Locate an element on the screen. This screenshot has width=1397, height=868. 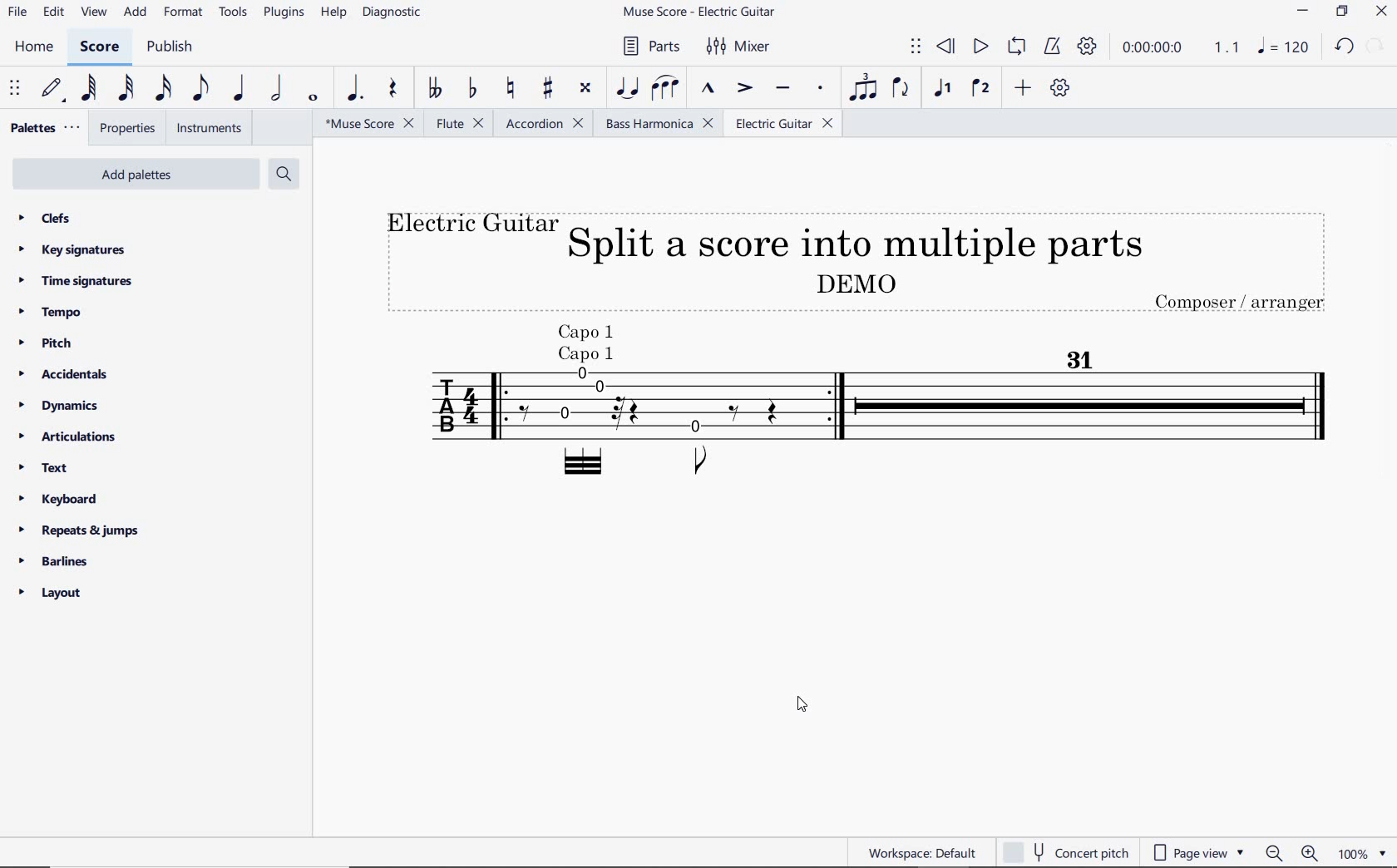
add is located at coordinates (135, 12).